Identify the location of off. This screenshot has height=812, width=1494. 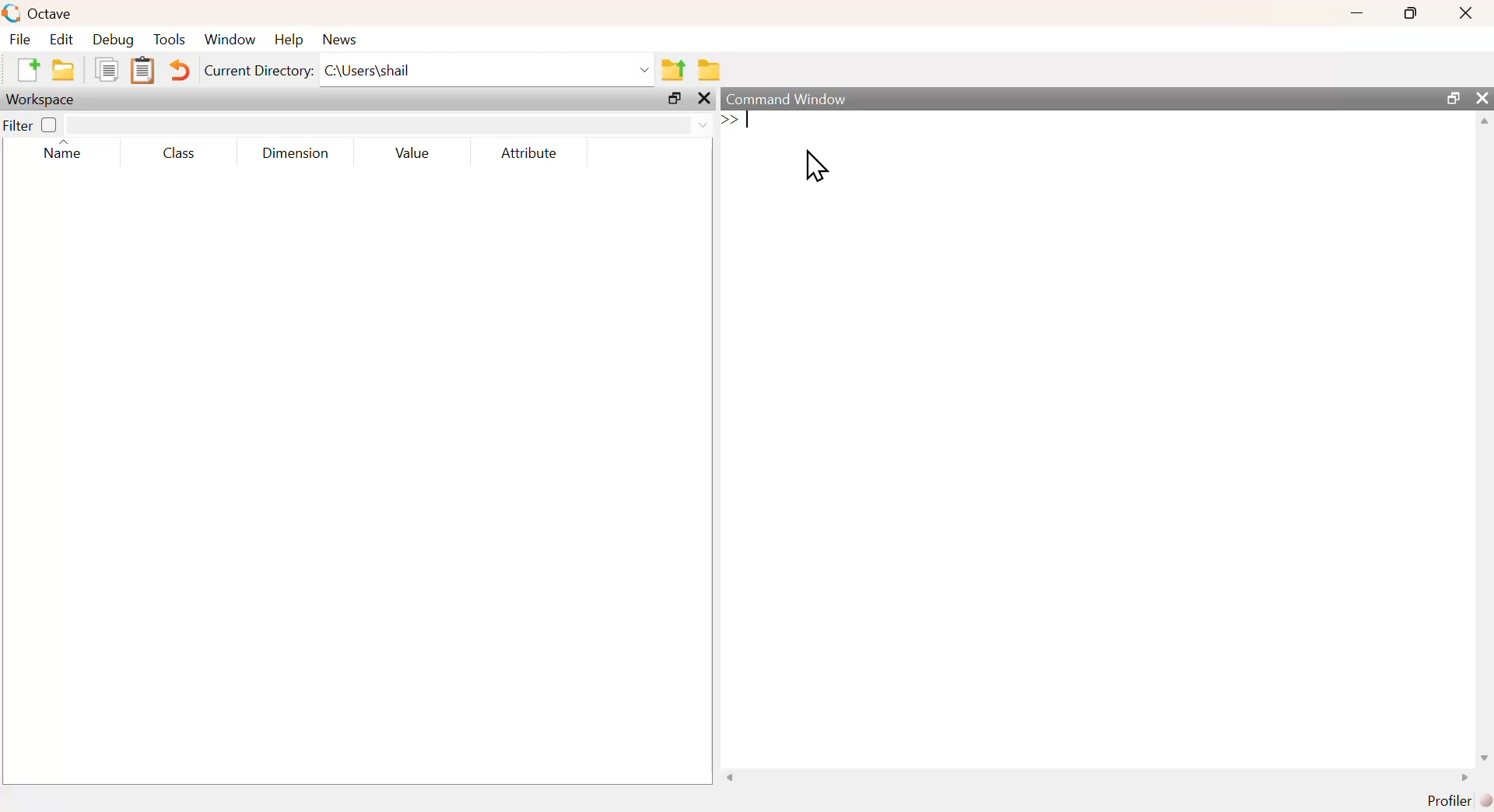
(50, 124).